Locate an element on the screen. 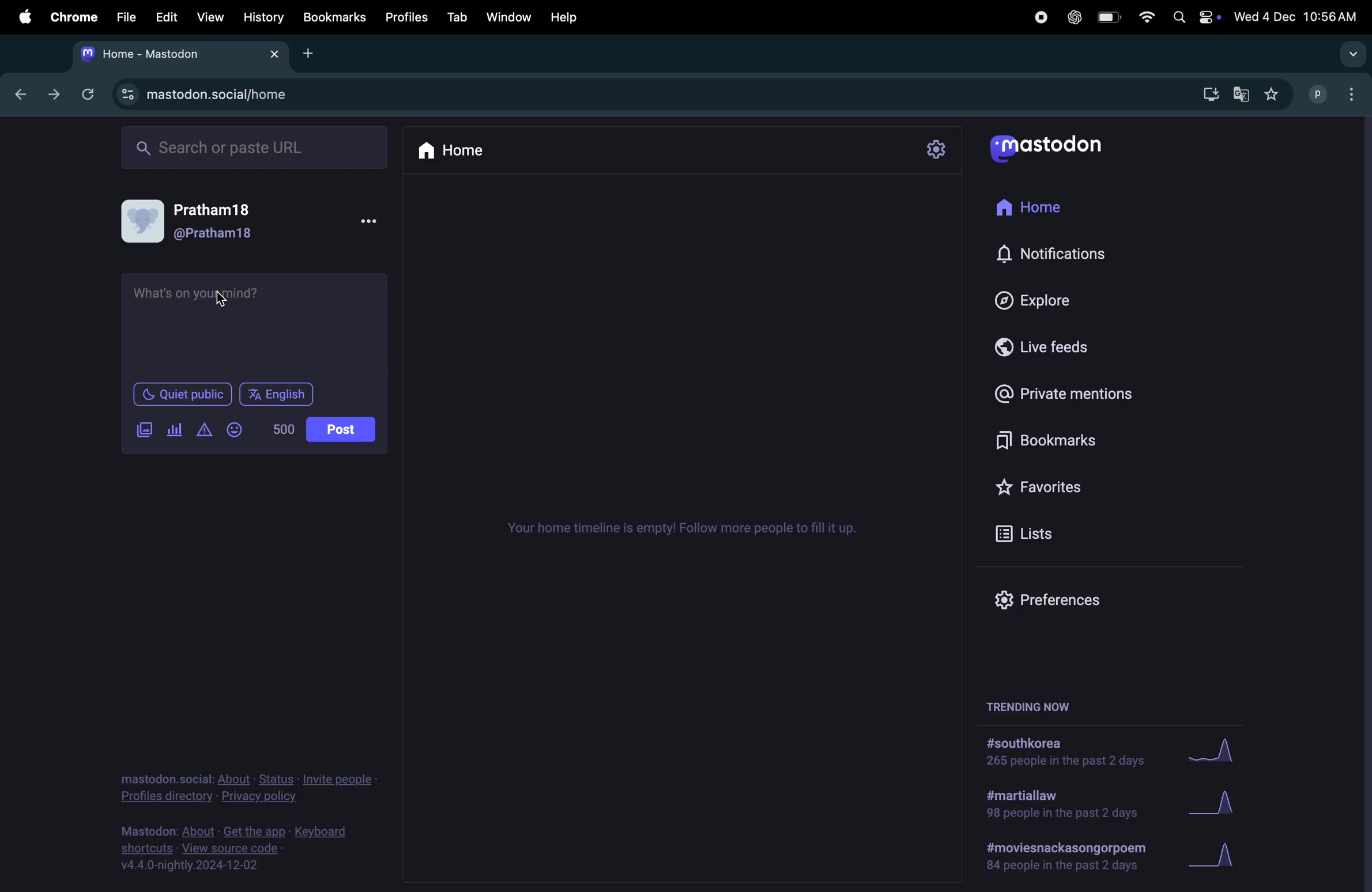 This screenshot has height=892, width=1372. book marks is located at coordinates (1065, 436).